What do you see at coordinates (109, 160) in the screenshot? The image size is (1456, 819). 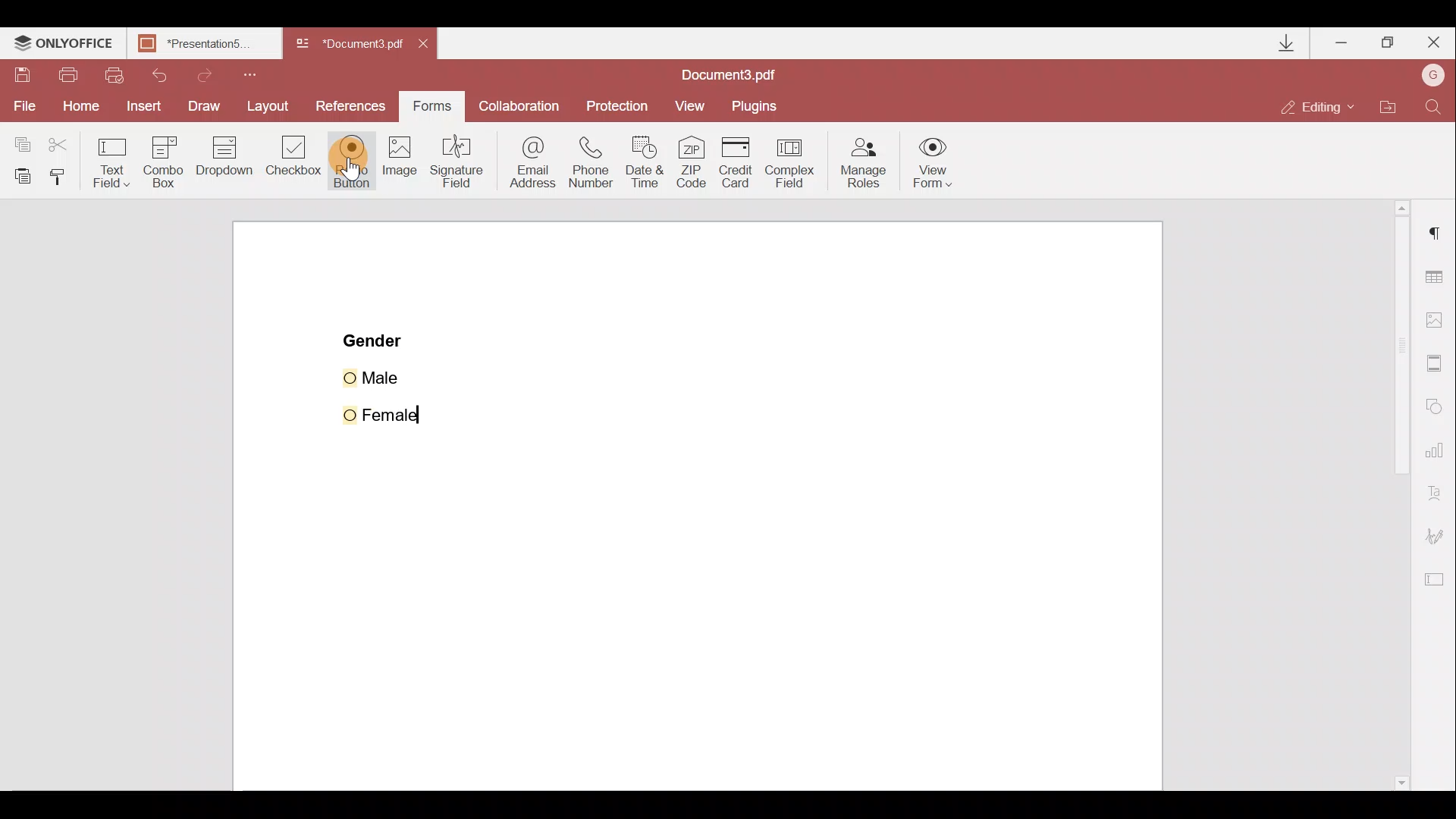 I see `Text field` at bounding box center [109, 160].